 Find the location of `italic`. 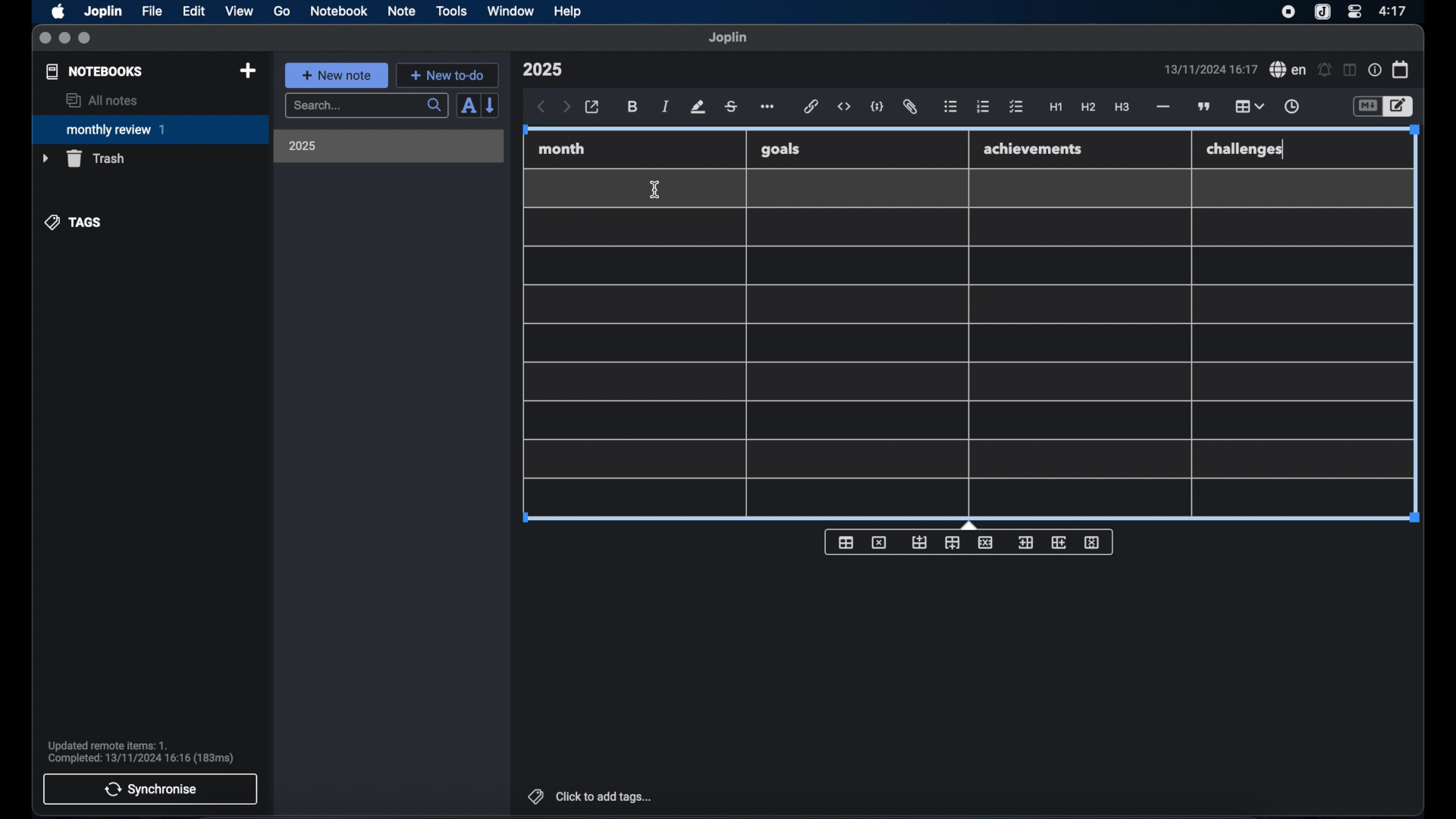

italic is located at coordinates (666, 106).